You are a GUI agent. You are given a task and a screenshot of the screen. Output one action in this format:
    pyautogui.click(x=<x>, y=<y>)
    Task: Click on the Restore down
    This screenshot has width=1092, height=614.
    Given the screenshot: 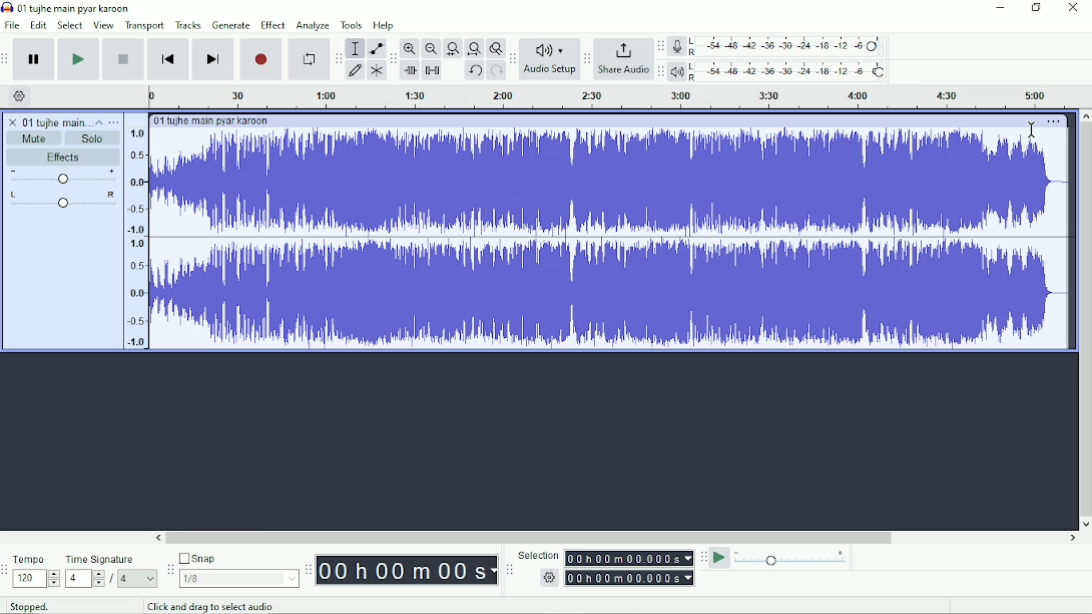 What is the action you would take?
    pyautogui.click(x=1038, y=7)
    